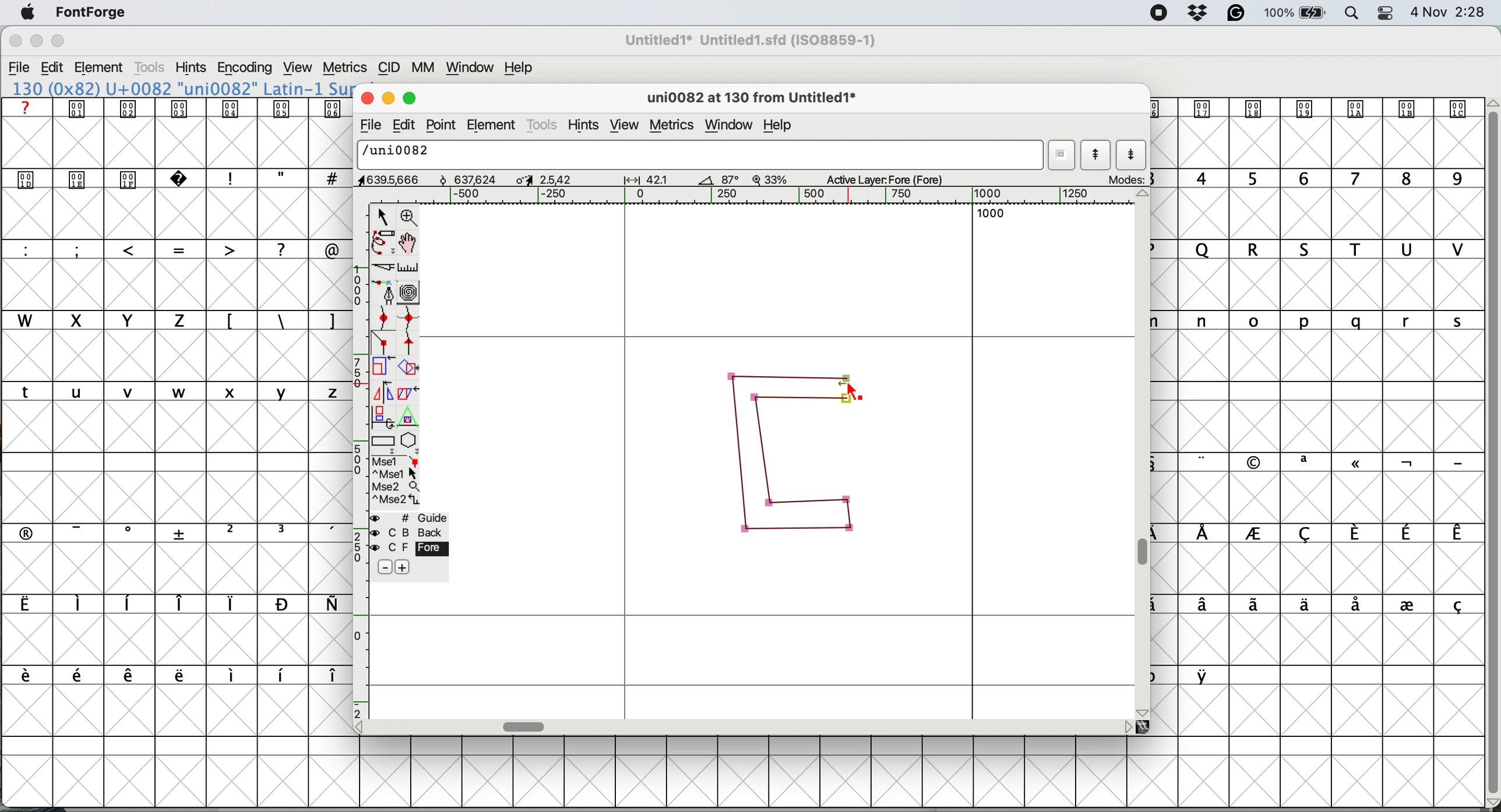 The height and width of the screenshot is (812, 1501). I want to click on cursor, so click(852, 391).